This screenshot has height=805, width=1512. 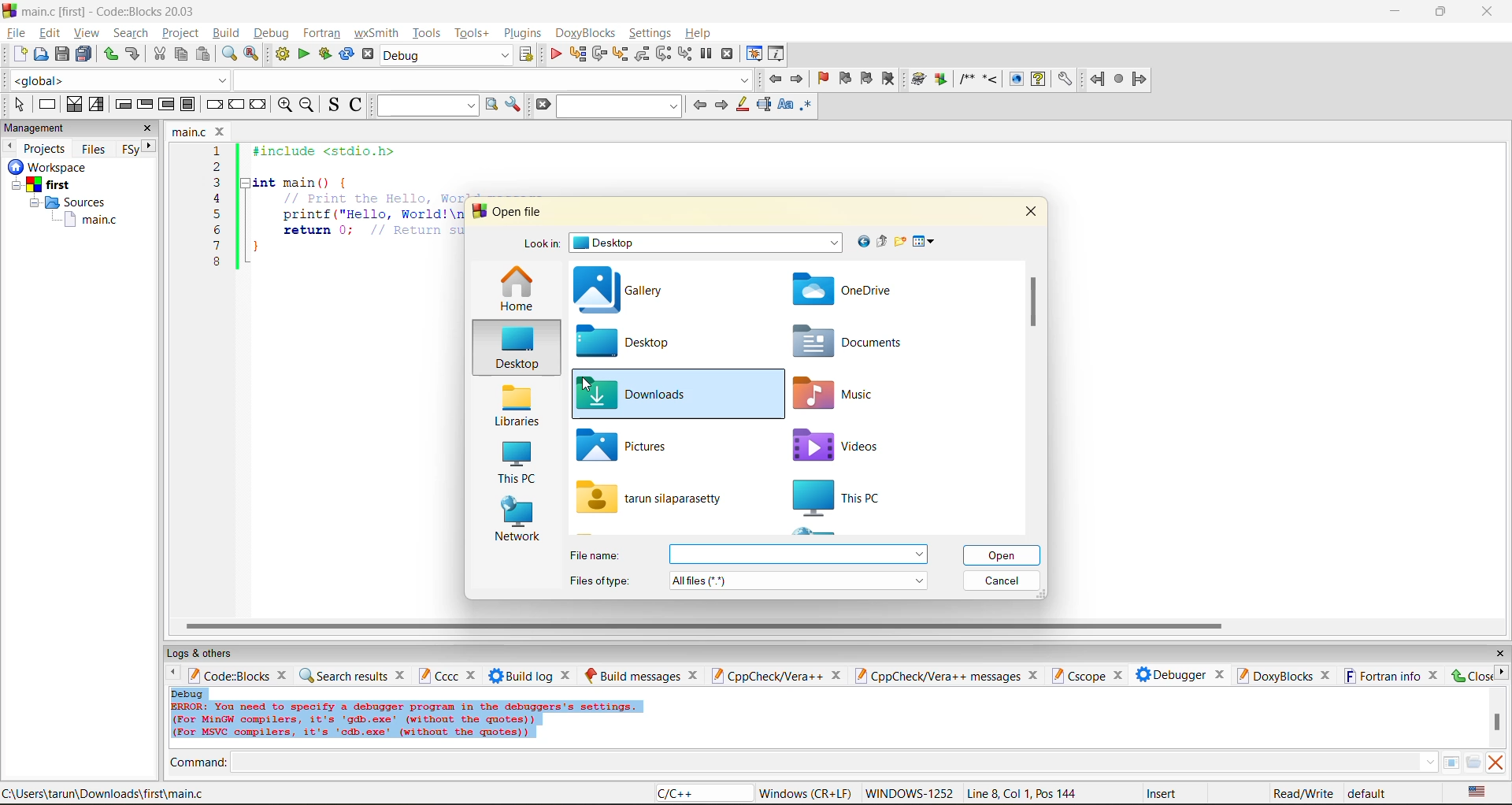 What do you see at coordinates (217, 229) in the screenshot?
I see `6` at bounding box center [217, 229].